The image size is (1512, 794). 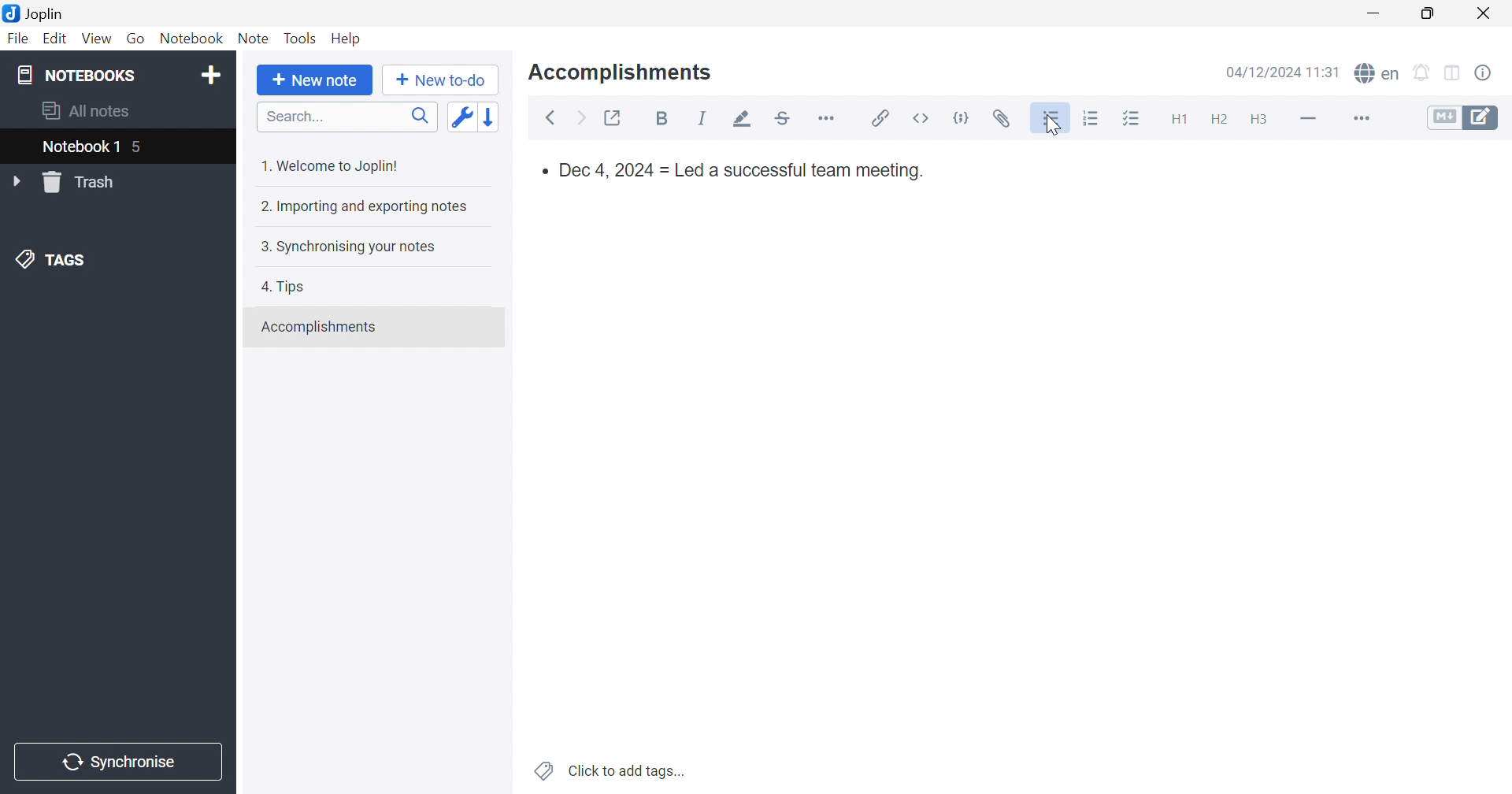 What do you see at coordinates (539, 172) in the screenshot?
I see `bullet point` at bounding box center [539, 172].